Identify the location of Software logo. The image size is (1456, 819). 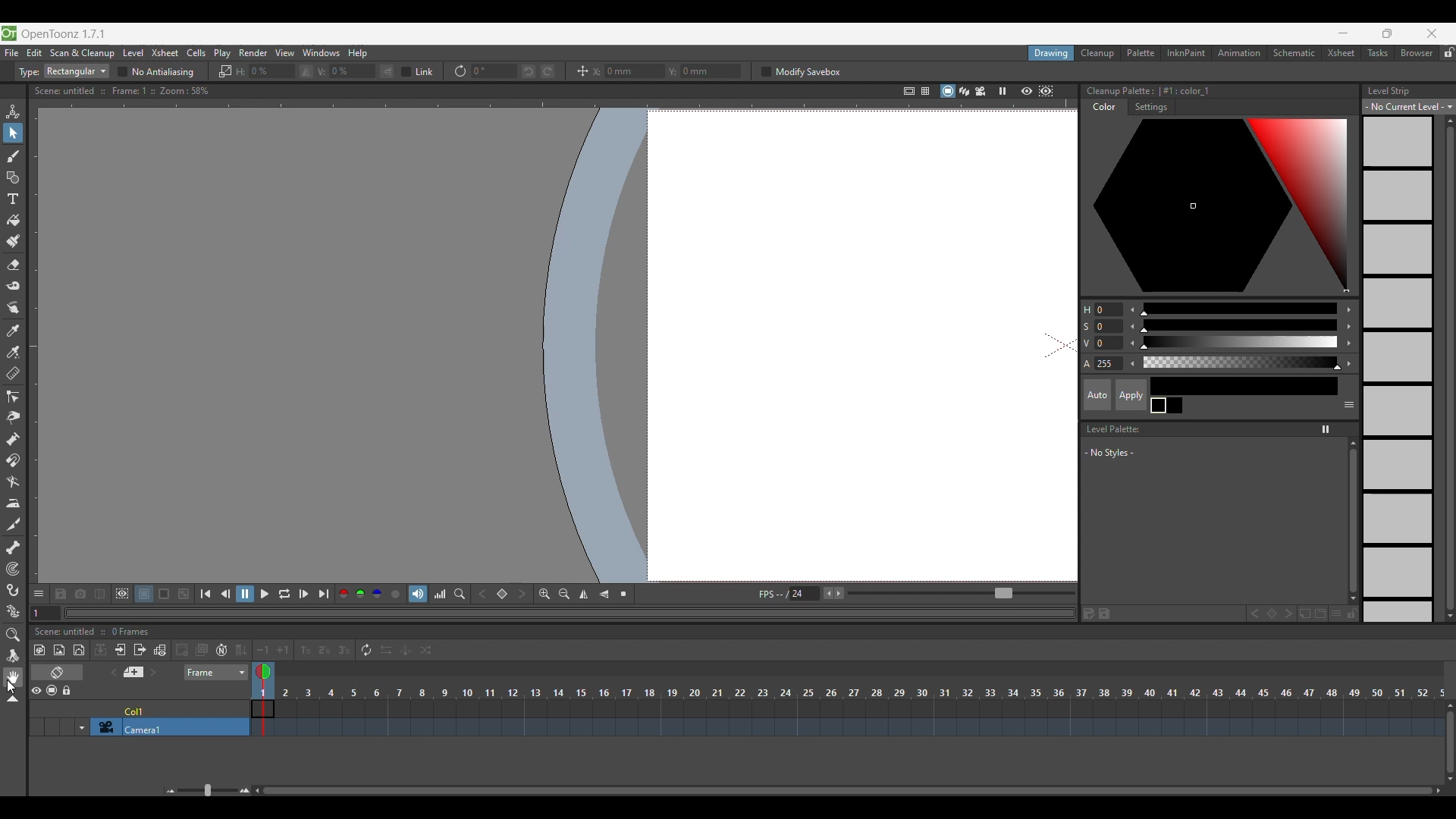
(10, 33).